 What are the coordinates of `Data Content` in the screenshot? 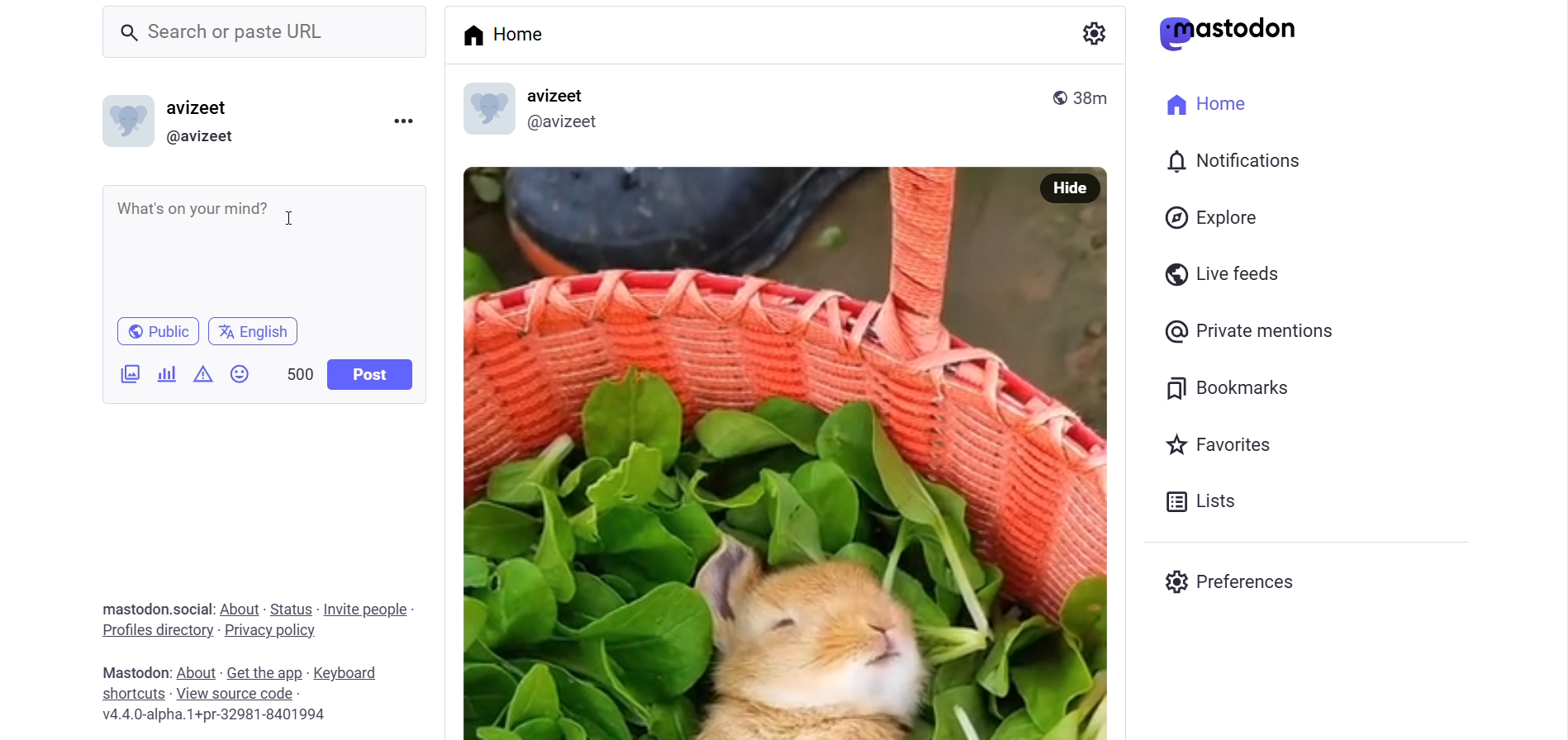 It's located at (205, 372).